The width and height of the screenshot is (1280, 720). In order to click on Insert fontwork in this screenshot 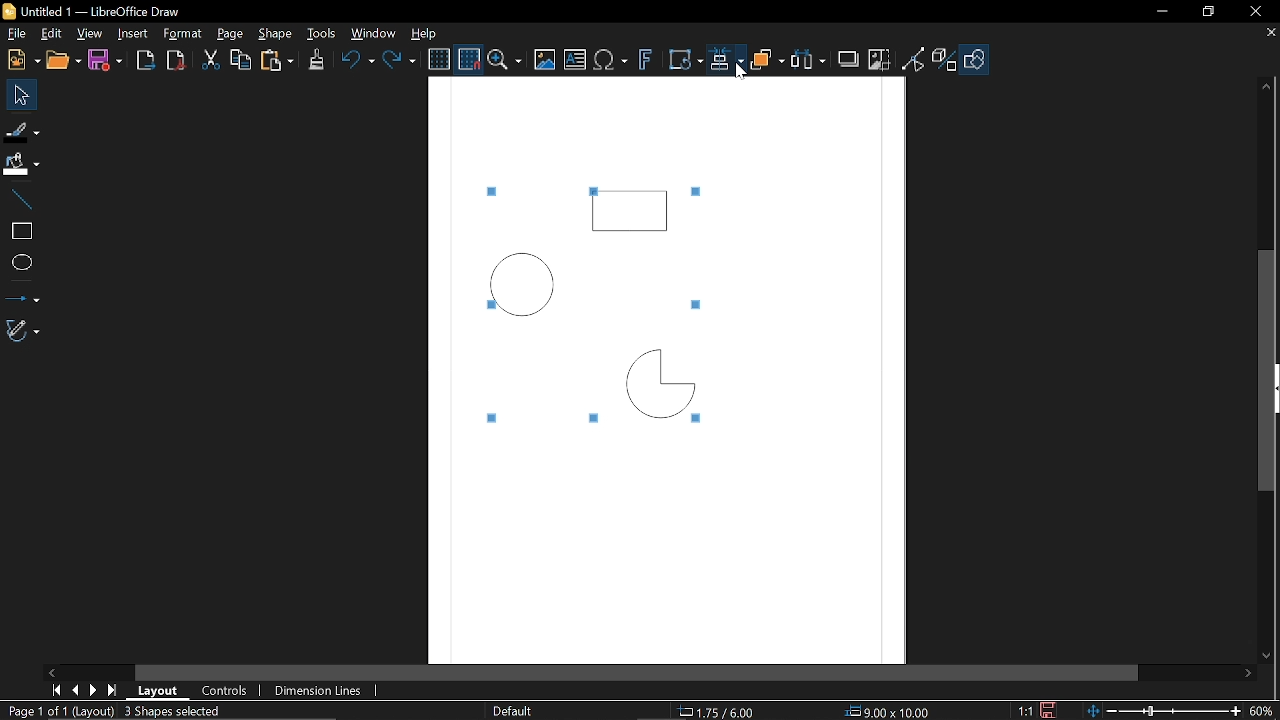, I will do `click(642, 62)`.